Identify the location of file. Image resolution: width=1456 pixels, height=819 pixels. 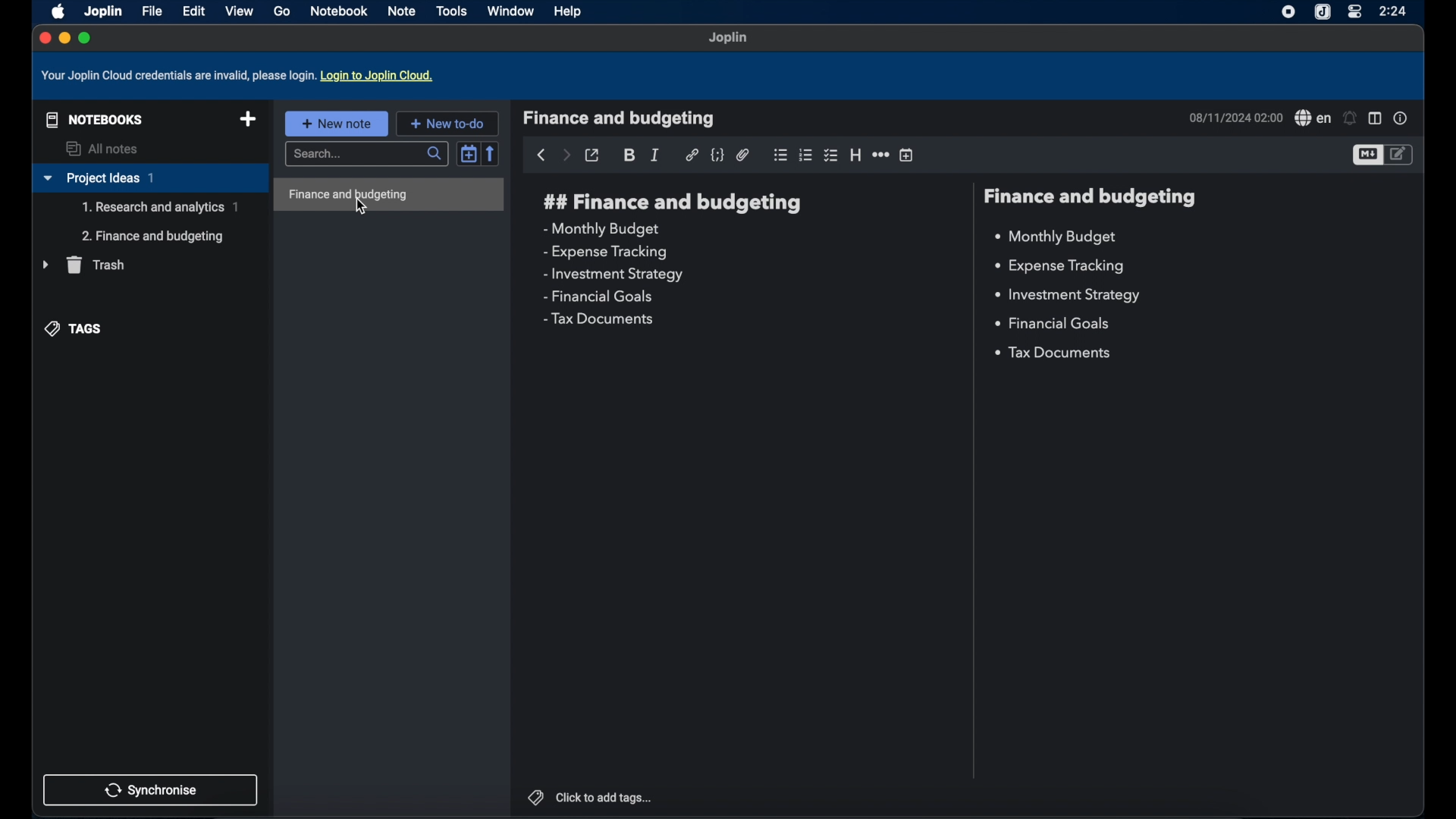
(152, 11).